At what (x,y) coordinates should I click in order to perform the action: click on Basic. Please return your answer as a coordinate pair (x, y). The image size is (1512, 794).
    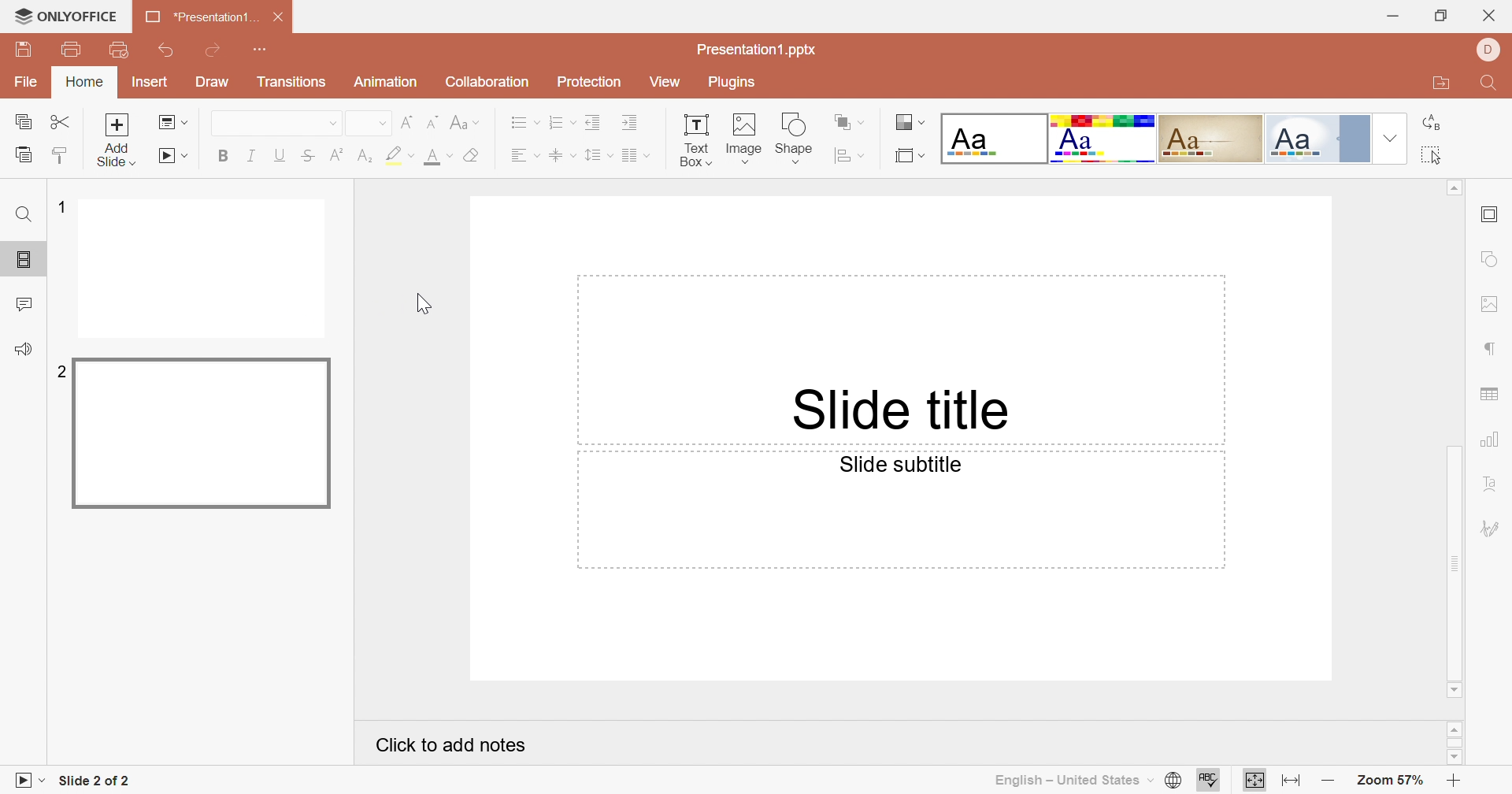
    Looking at the image, I should click on (1101, 139).